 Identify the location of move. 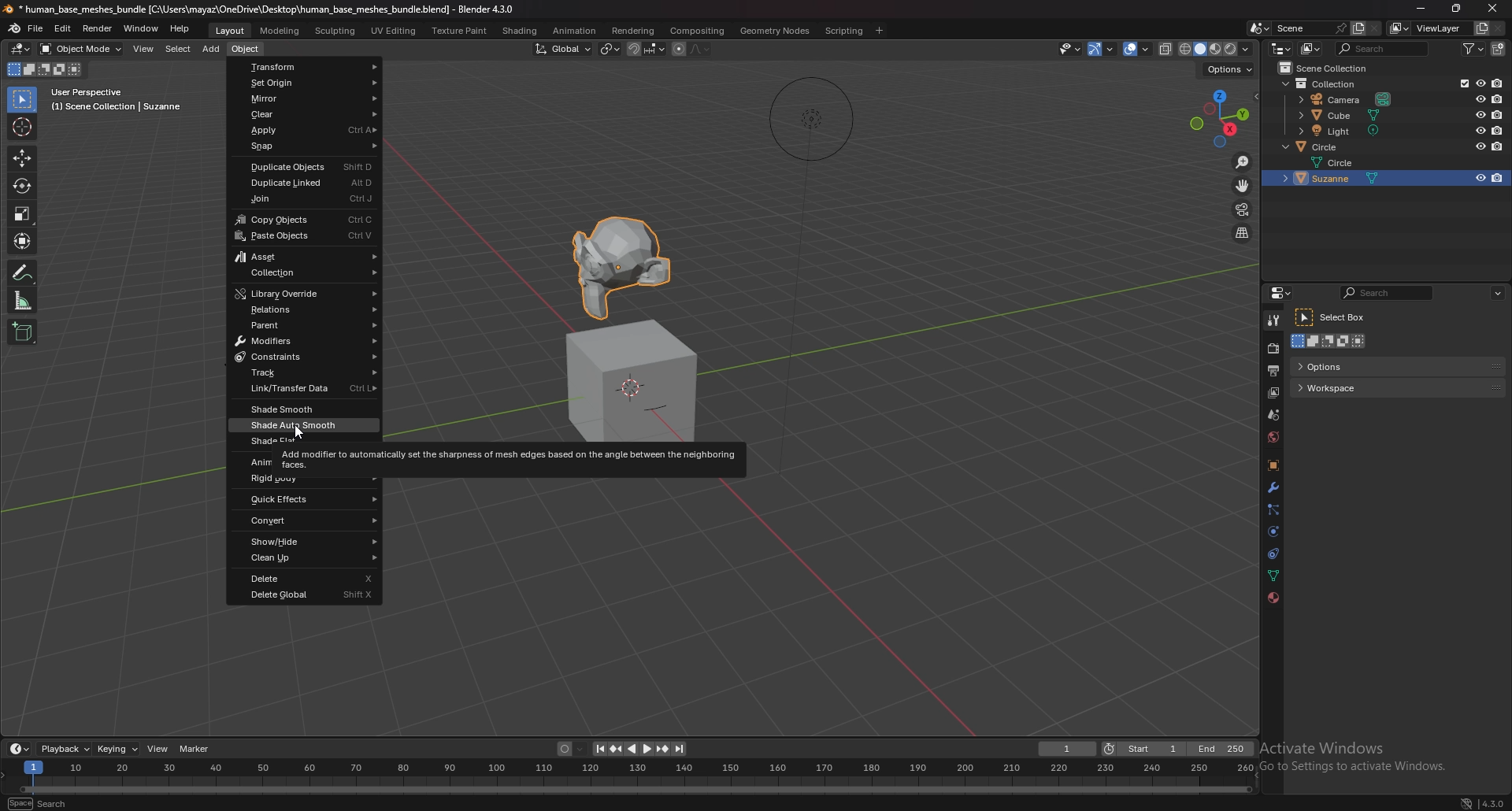
(22, 158).